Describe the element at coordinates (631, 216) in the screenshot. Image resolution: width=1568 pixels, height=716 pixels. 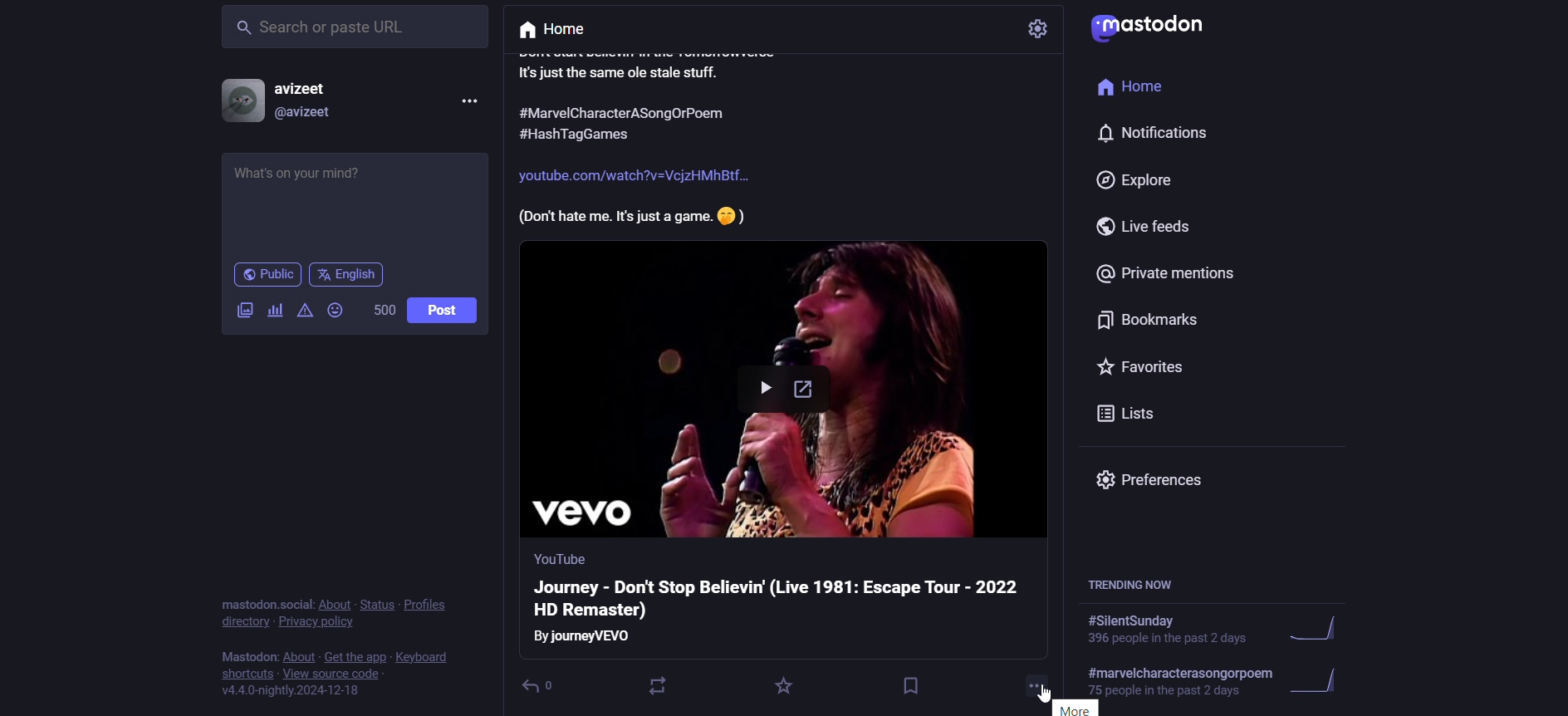
I see `` at that location.